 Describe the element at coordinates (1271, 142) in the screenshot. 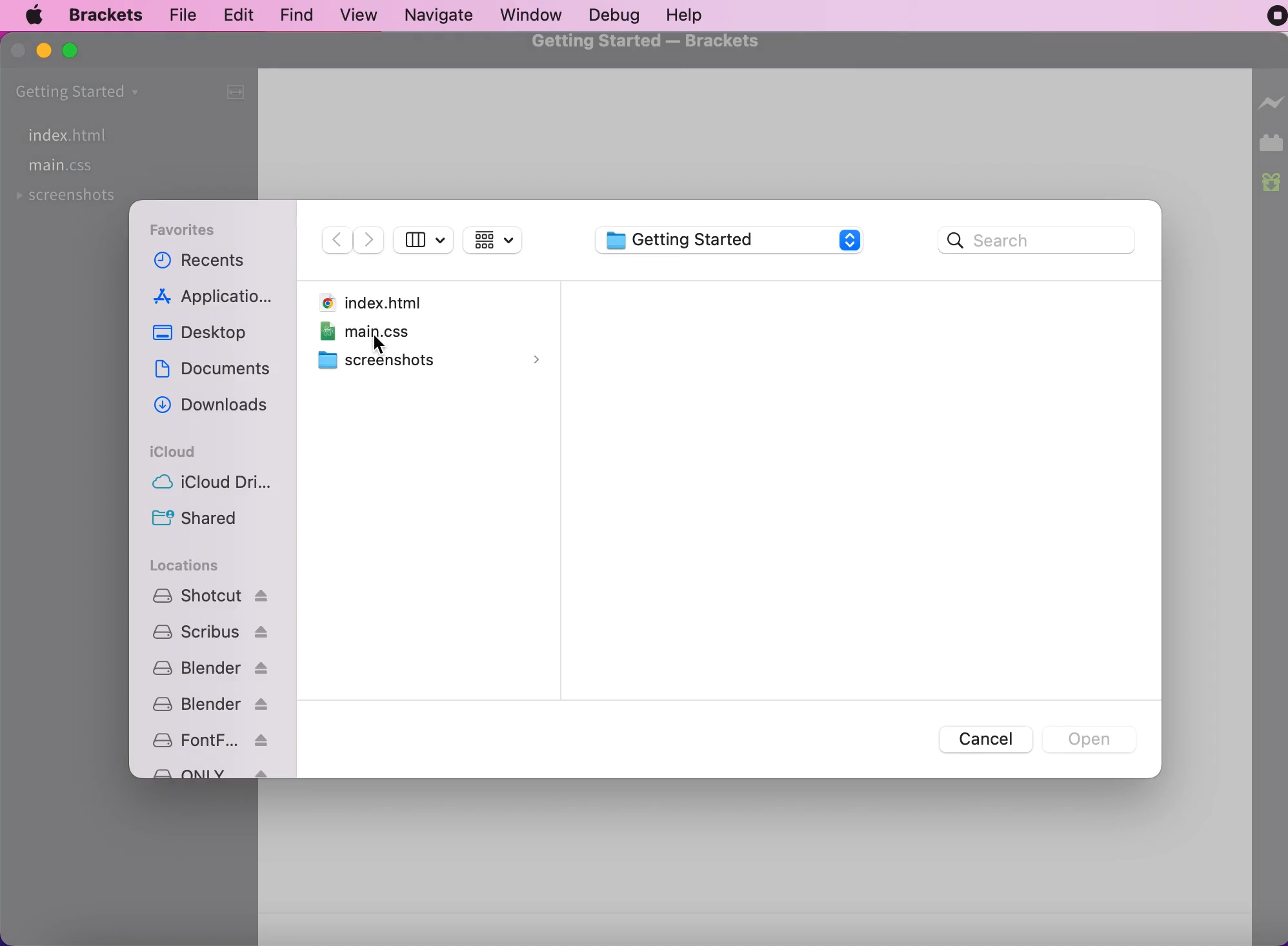

I see `extension manager` at that location.